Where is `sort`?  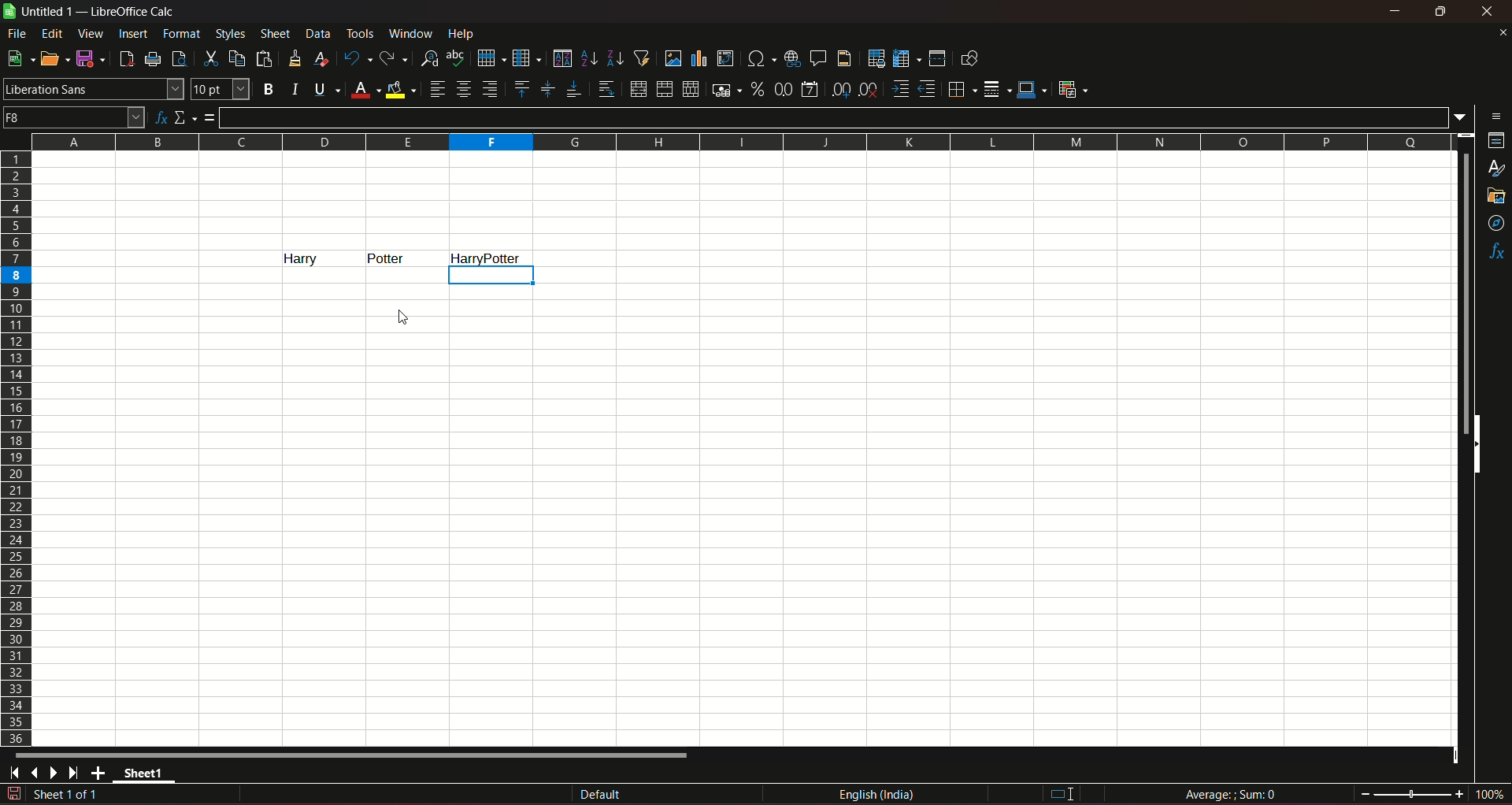
sort is located at coordinates (561, 58).